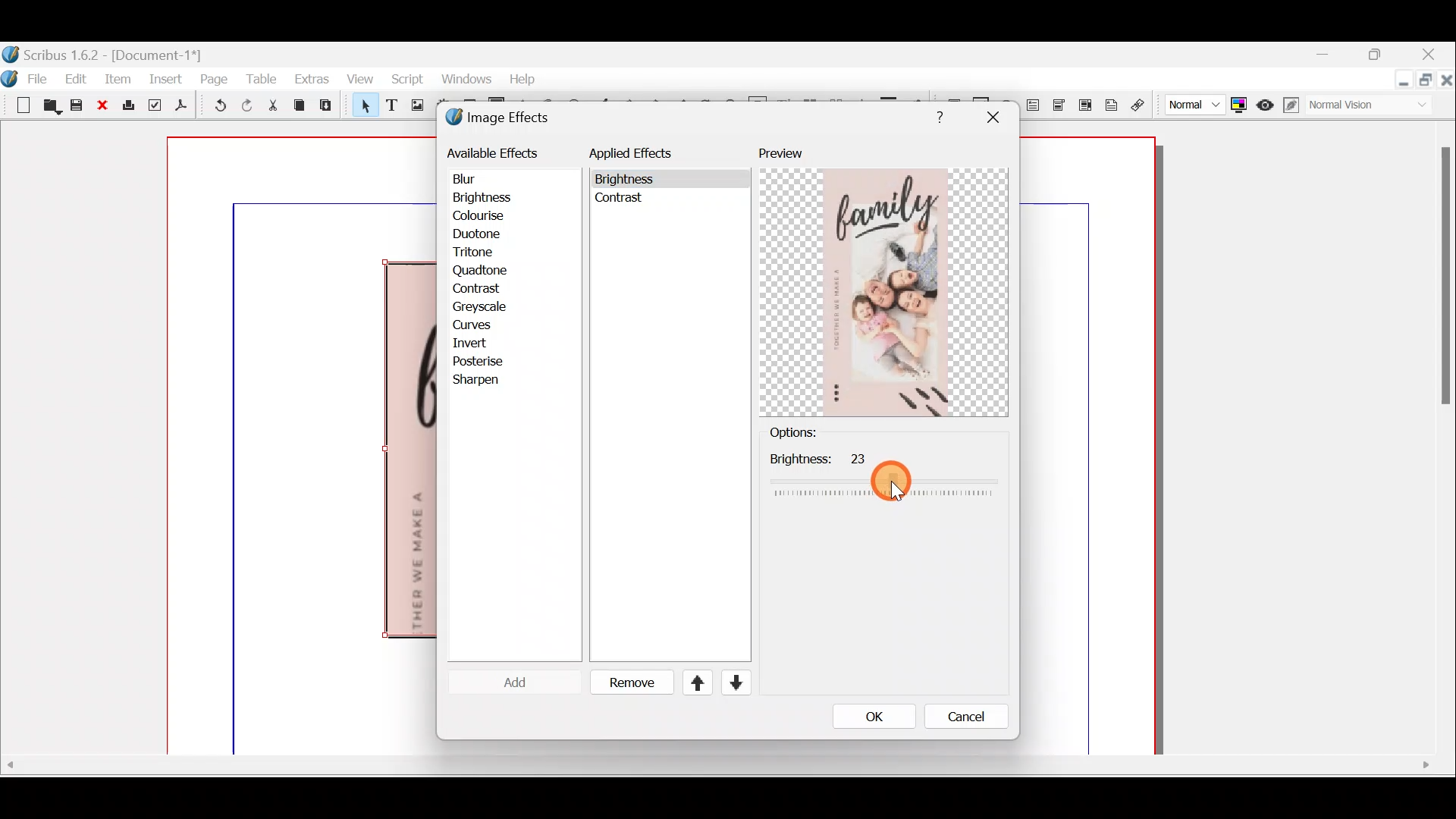 The image size is (1456, 819). I want to click on Document name, so click(104, 53).